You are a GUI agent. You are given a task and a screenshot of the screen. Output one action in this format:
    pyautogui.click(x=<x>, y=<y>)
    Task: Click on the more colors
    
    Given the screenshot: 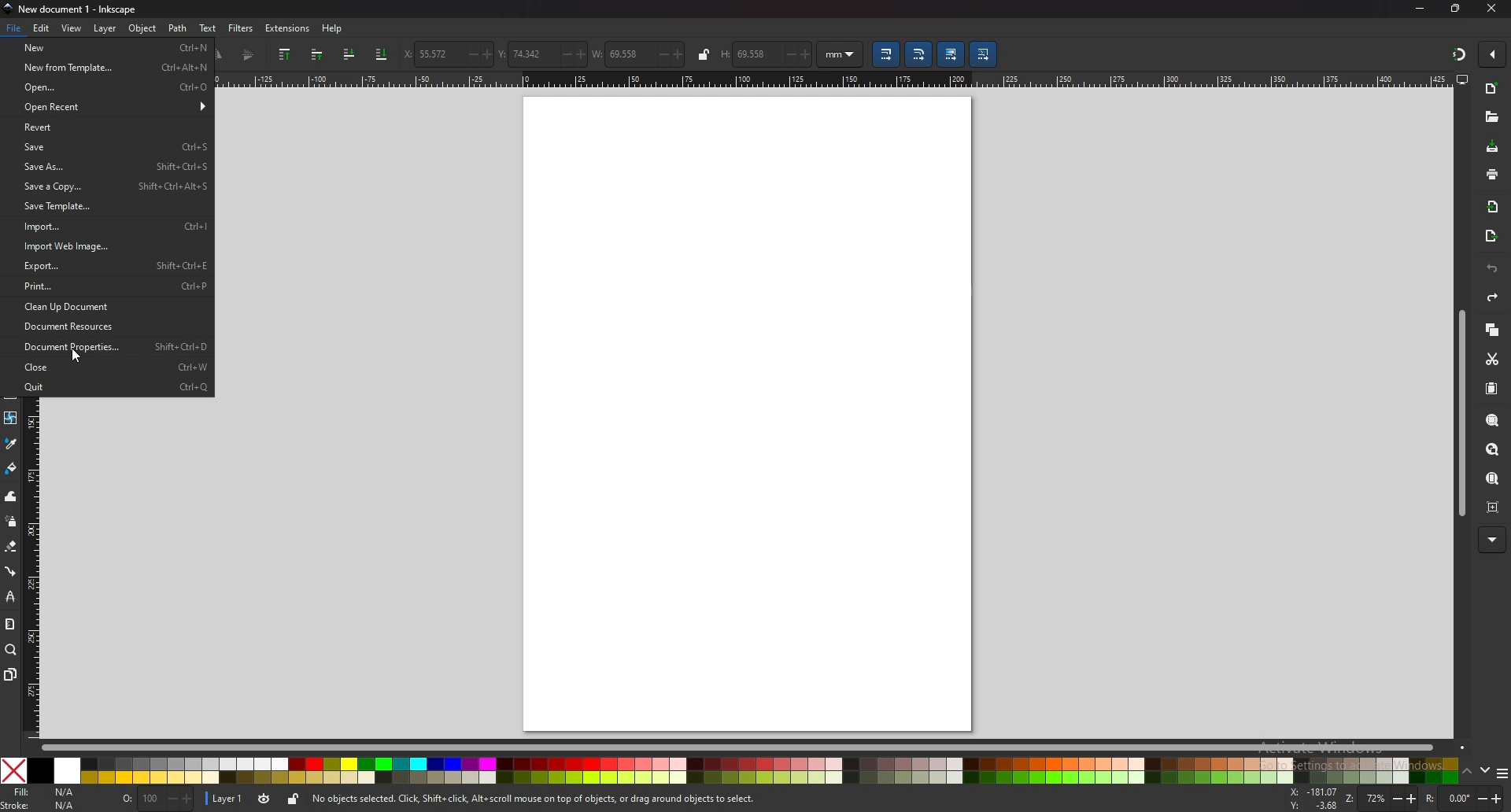 What is the action you would take?
    pyautogui.click(x=1502, y=770)
    